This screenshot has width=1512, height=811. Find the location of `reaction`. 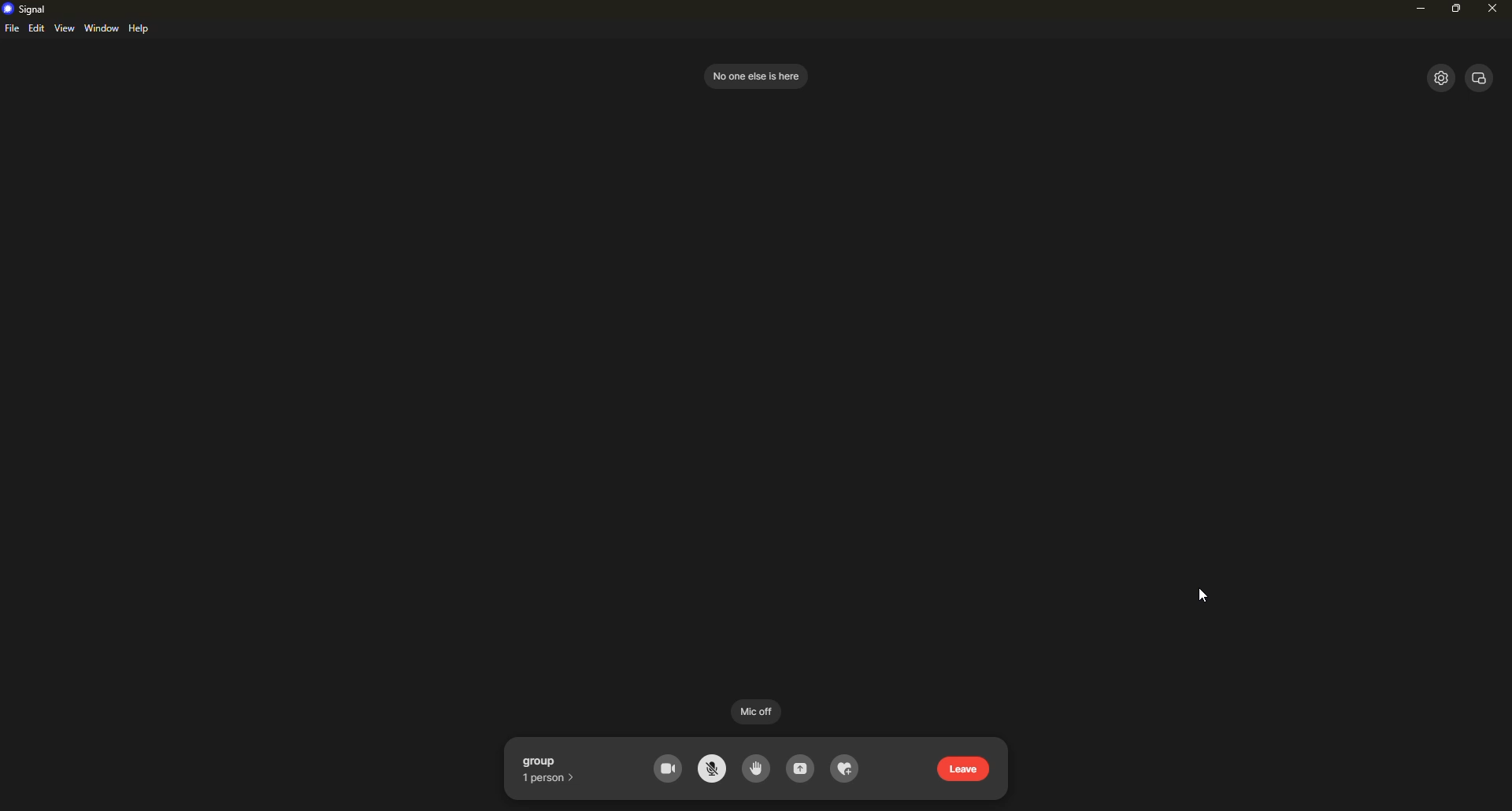

reaction is located at coordinates (846, 770).